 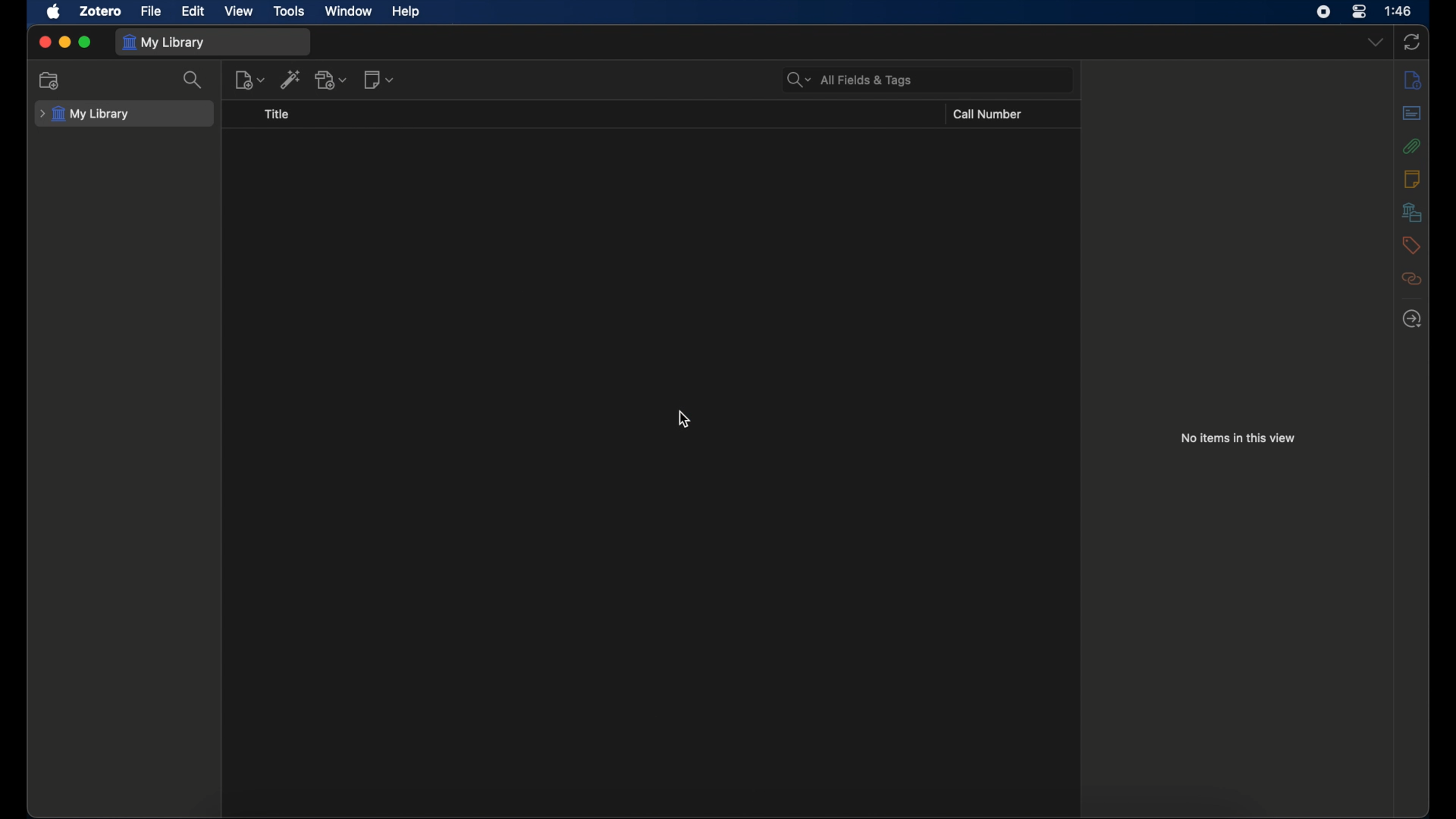 I want to click on libraries, so click(x=1412, y=212).